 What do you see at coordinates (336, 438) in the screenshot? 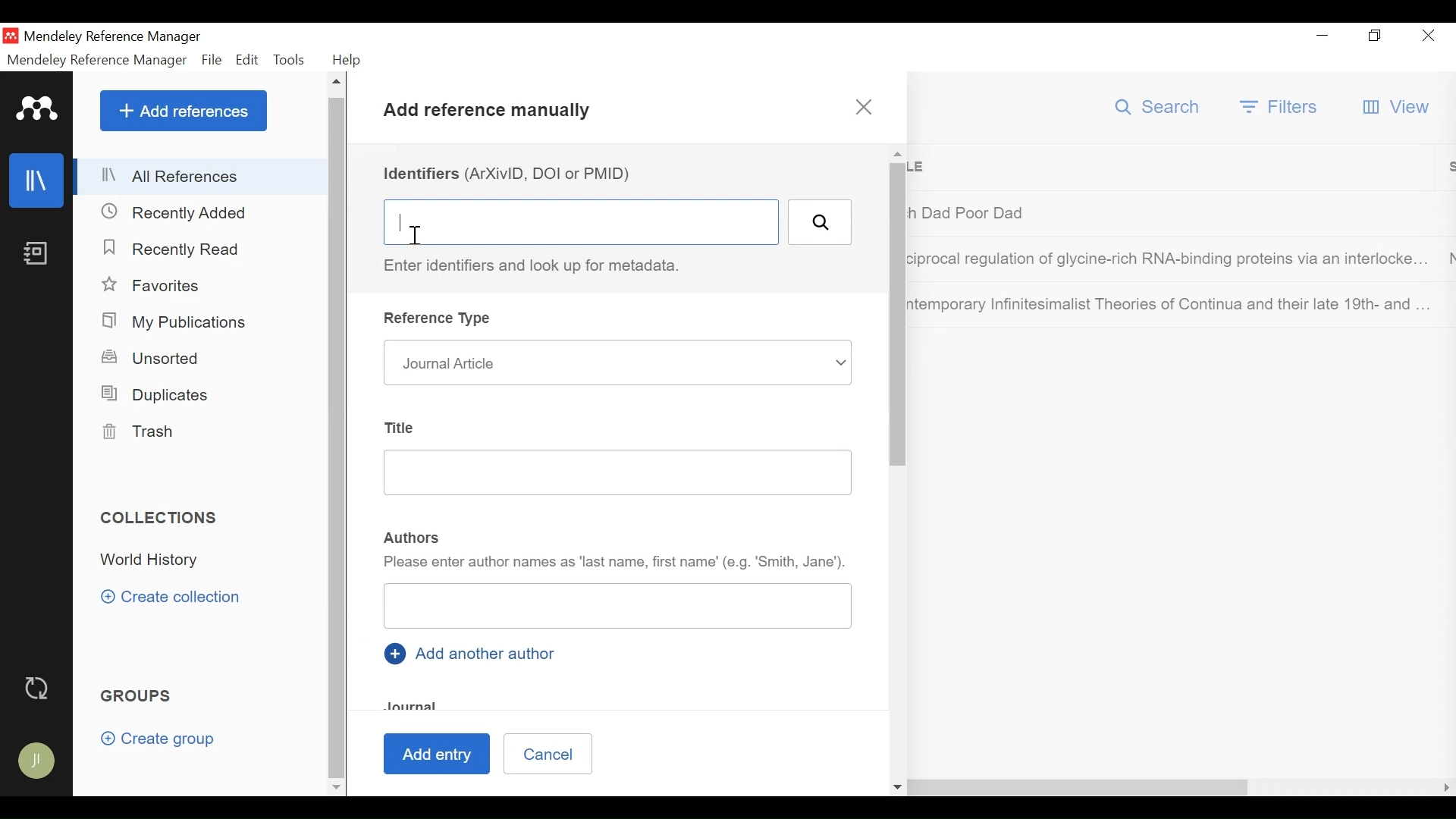
I see `Vertical Scroll bar` at bounding box center [336, 438].